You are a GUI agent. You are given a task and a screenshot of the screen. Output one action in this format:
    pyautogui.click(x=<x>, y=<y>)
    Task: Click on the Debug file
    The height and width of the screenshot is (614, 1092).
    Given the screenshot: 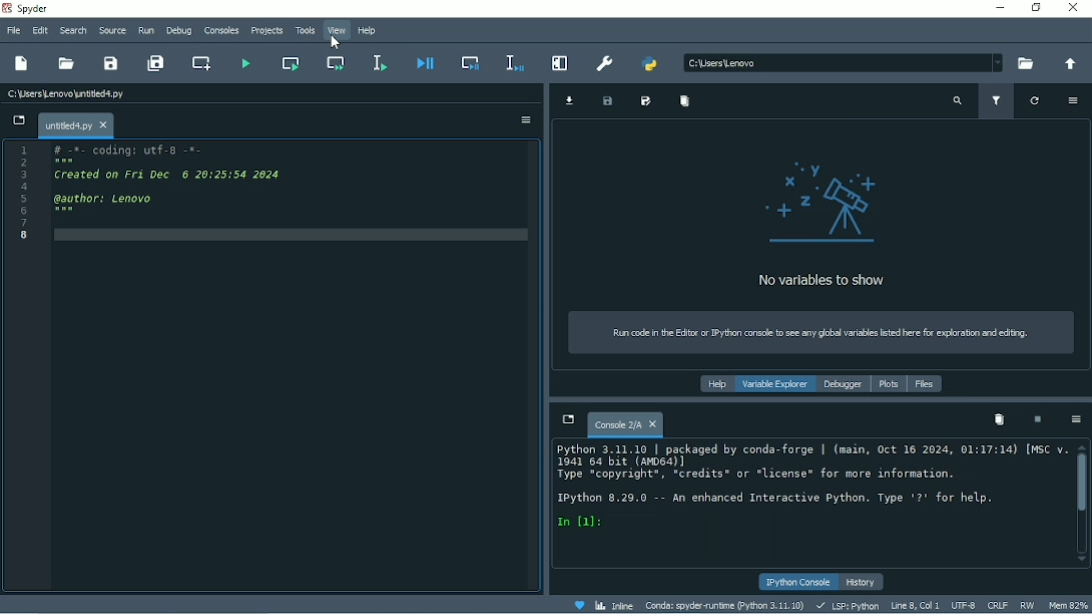 What is the action you would take?
    pyautogui.click(x=423, y=65)
    